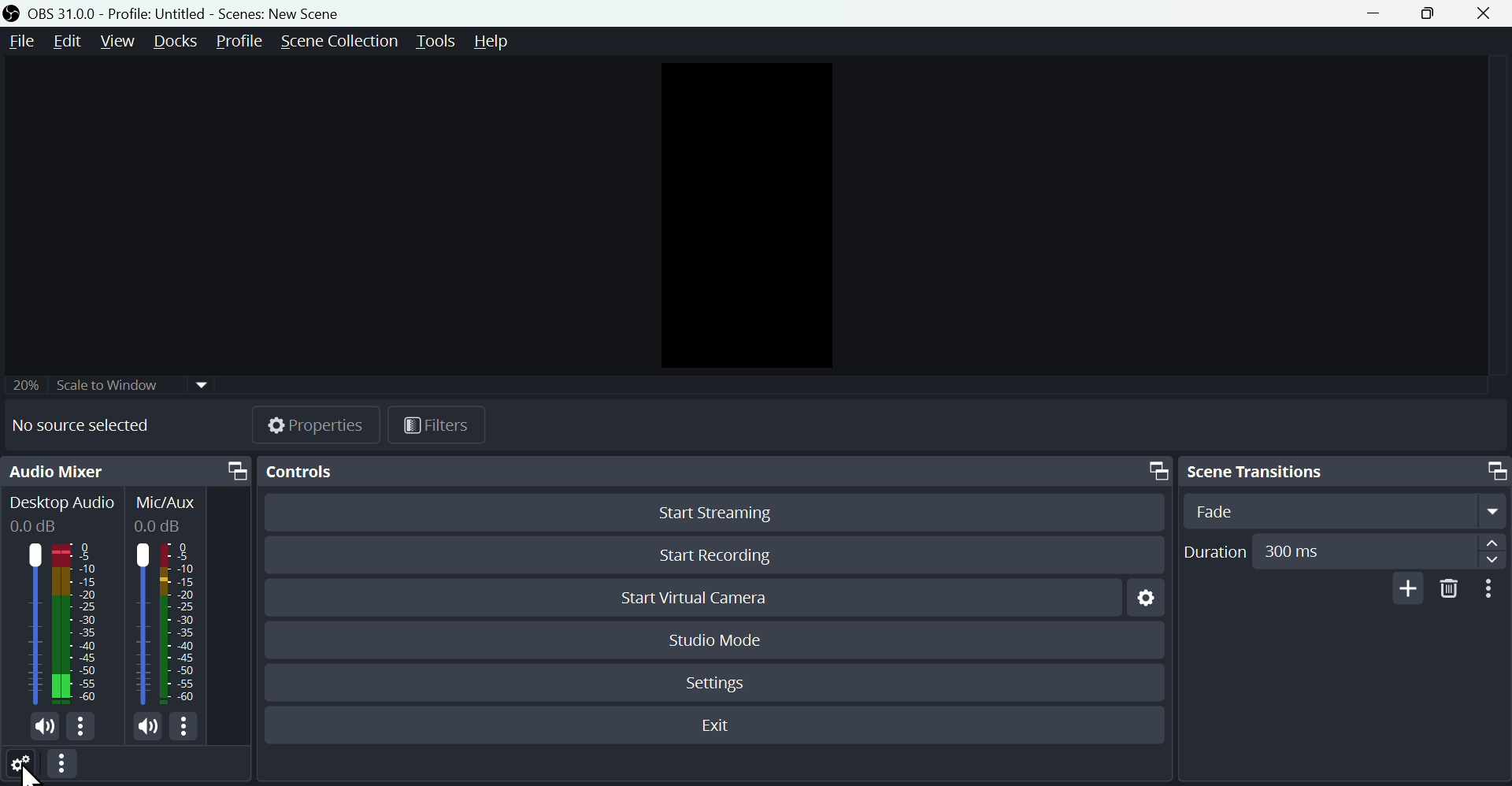 Image resolution: width=1512 pixels, height=786 pixels. Describe the element at coordinates (198, 13) in the screenshot. I see `OBS 31.0 .0 profile: untitled Scene: New scene` at that location.